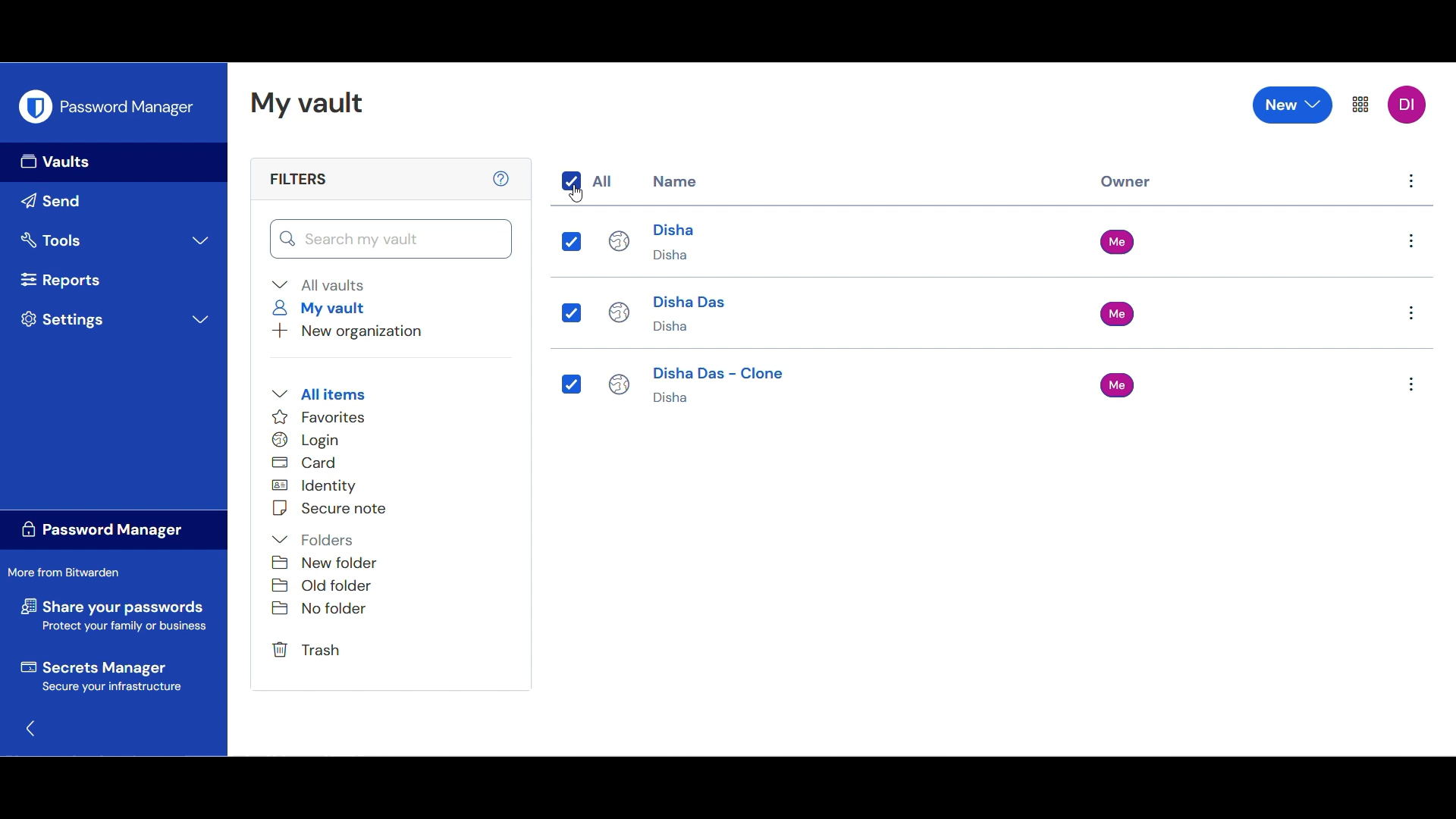 The height and width of the screenshot is (819, 1456). I want to click on All column, so click(603, 181).